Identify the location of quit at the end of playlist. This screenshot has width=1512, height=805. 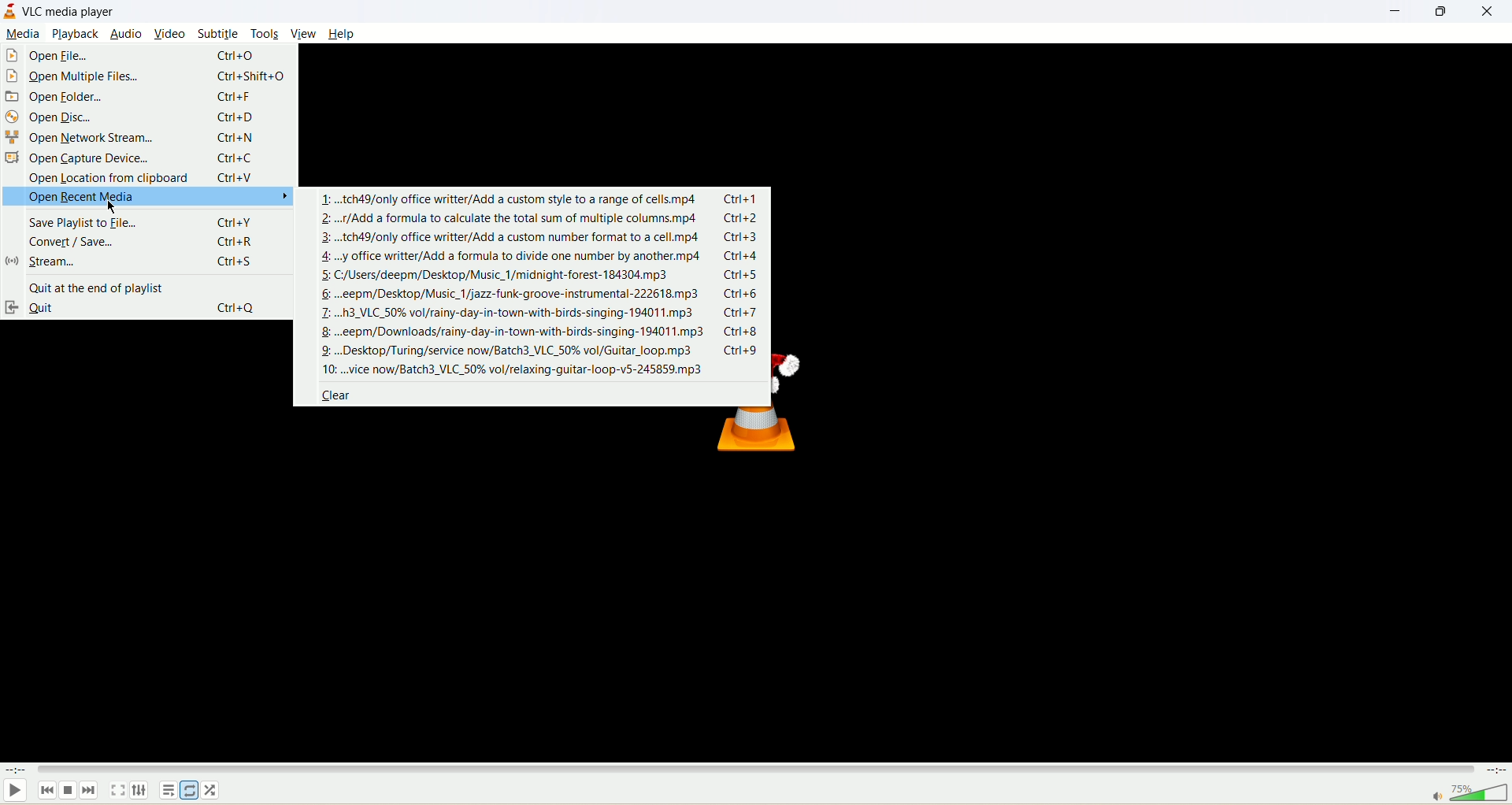
(105, 286).